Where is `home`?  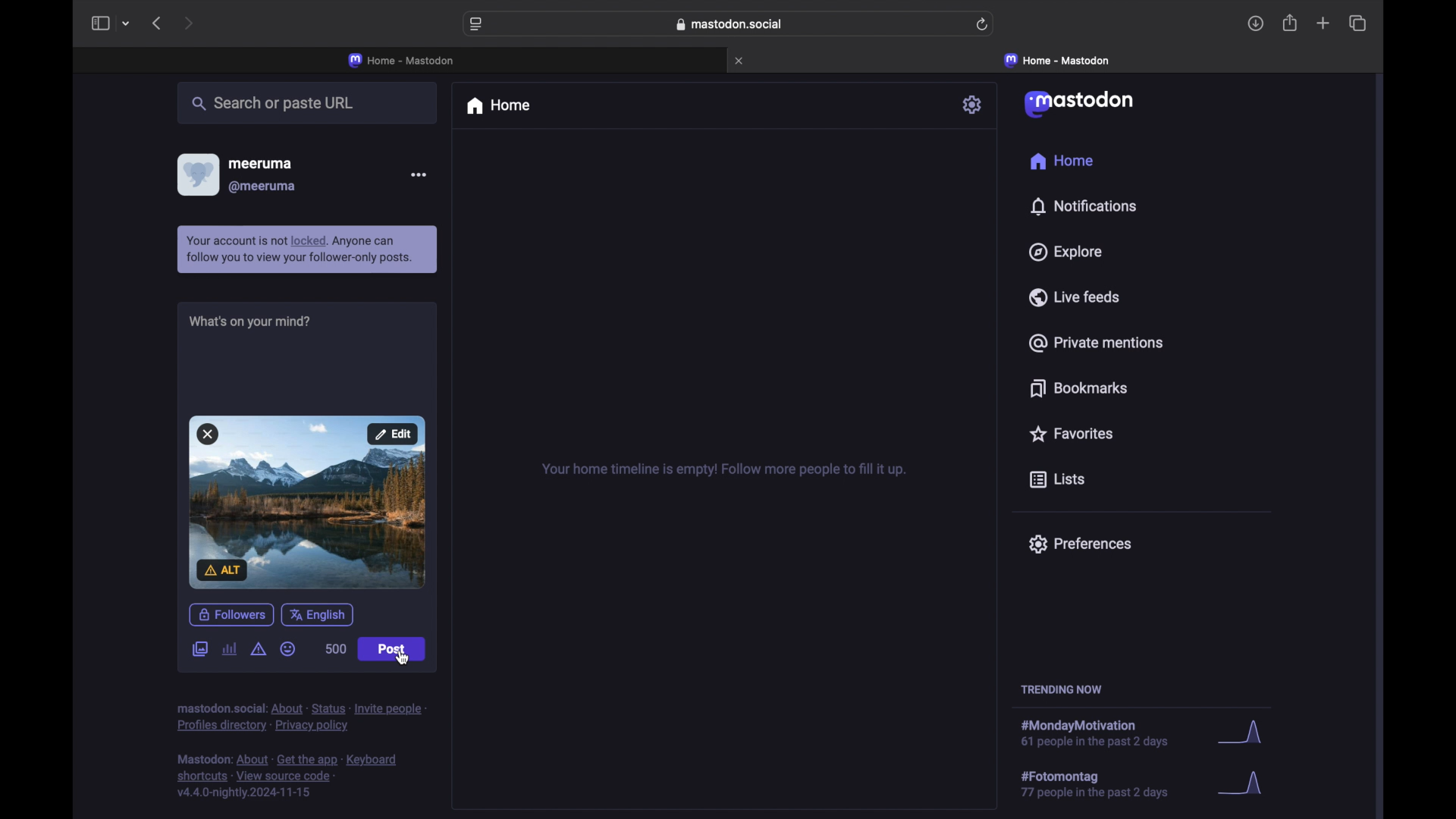
home is located at coordinates (500, 107).